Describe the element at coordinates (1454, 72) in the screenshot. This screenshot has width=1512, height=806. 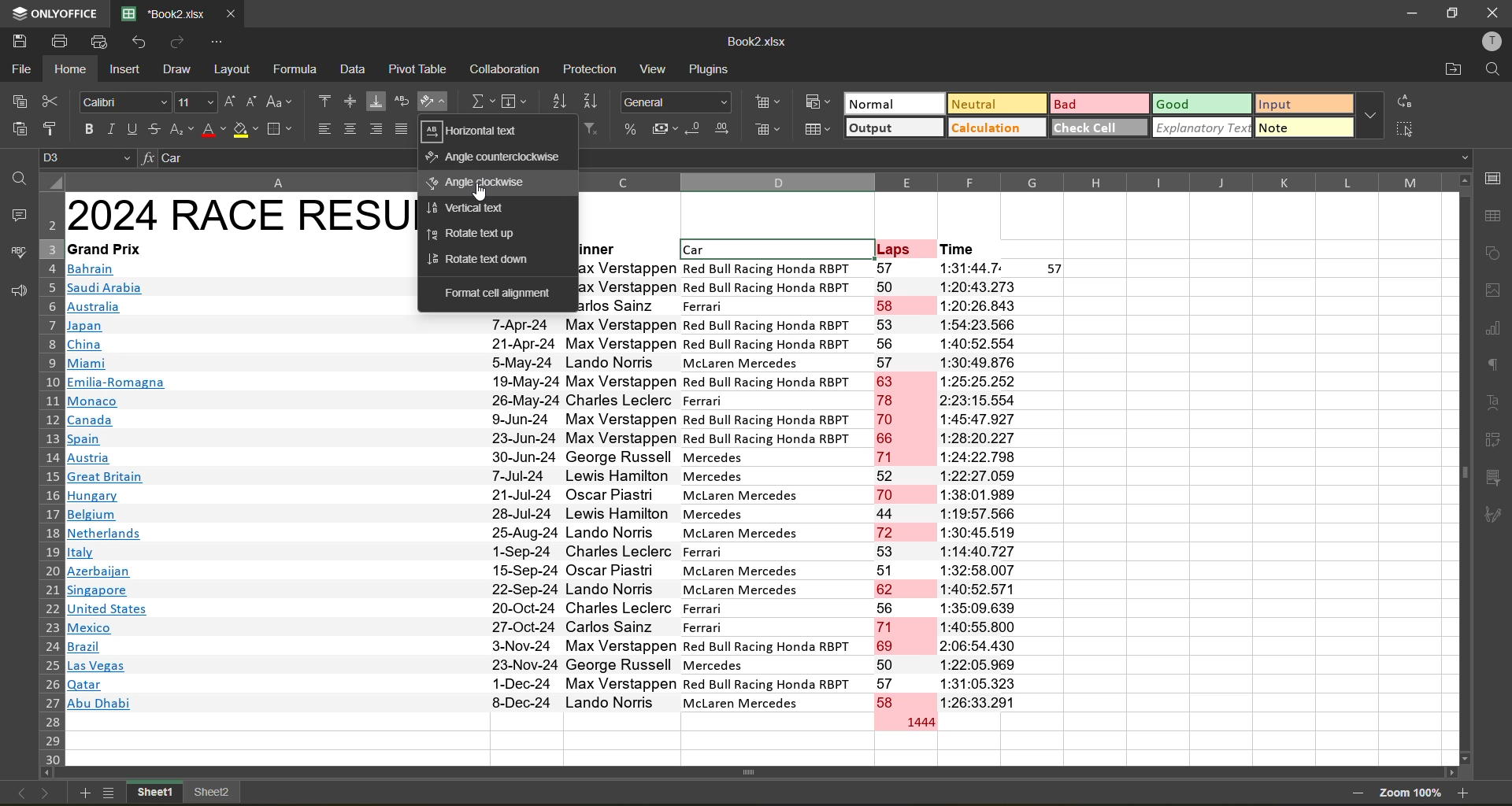
I see `open location` at that location.